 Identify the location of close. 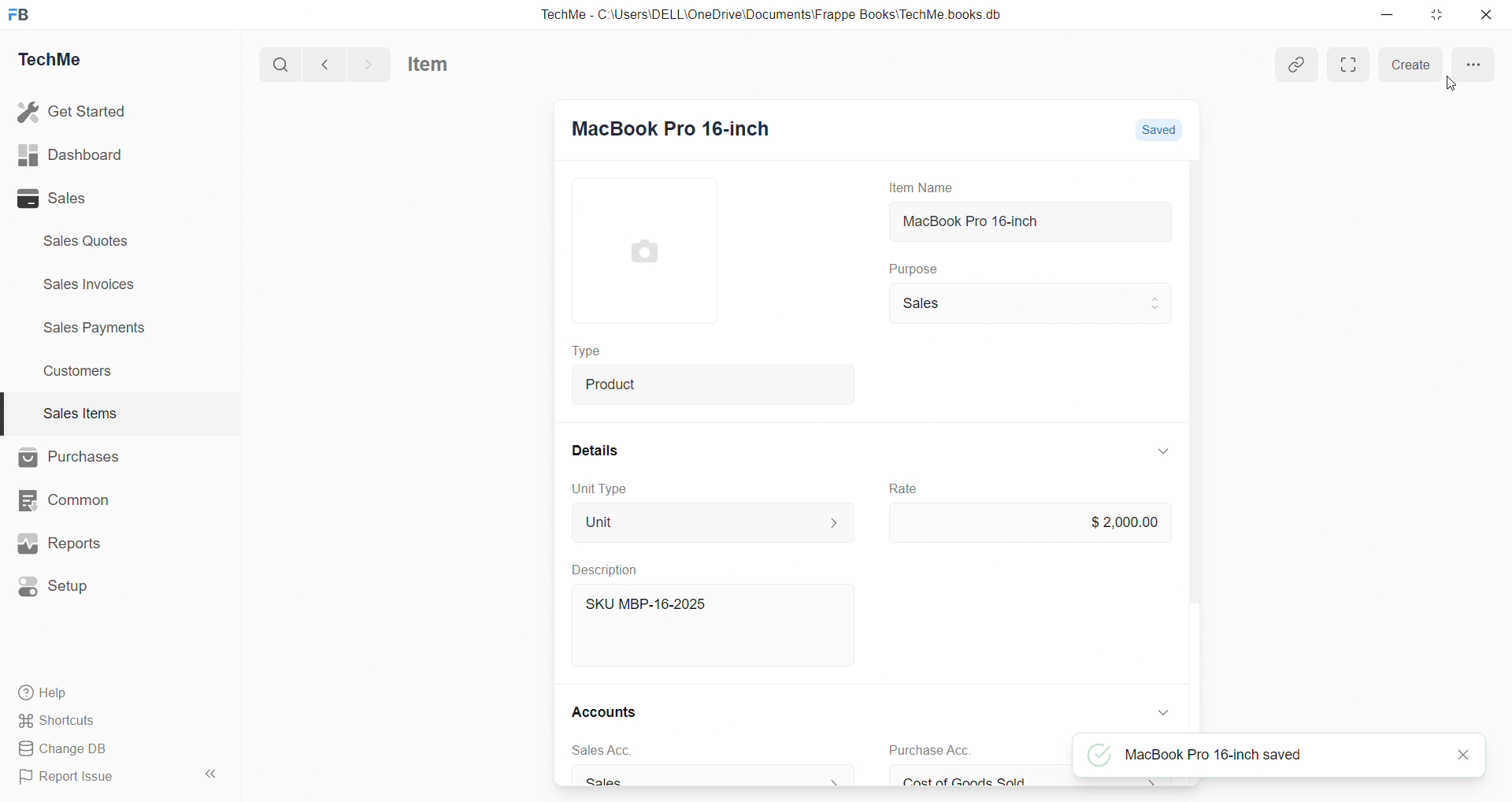
(1463, 756).